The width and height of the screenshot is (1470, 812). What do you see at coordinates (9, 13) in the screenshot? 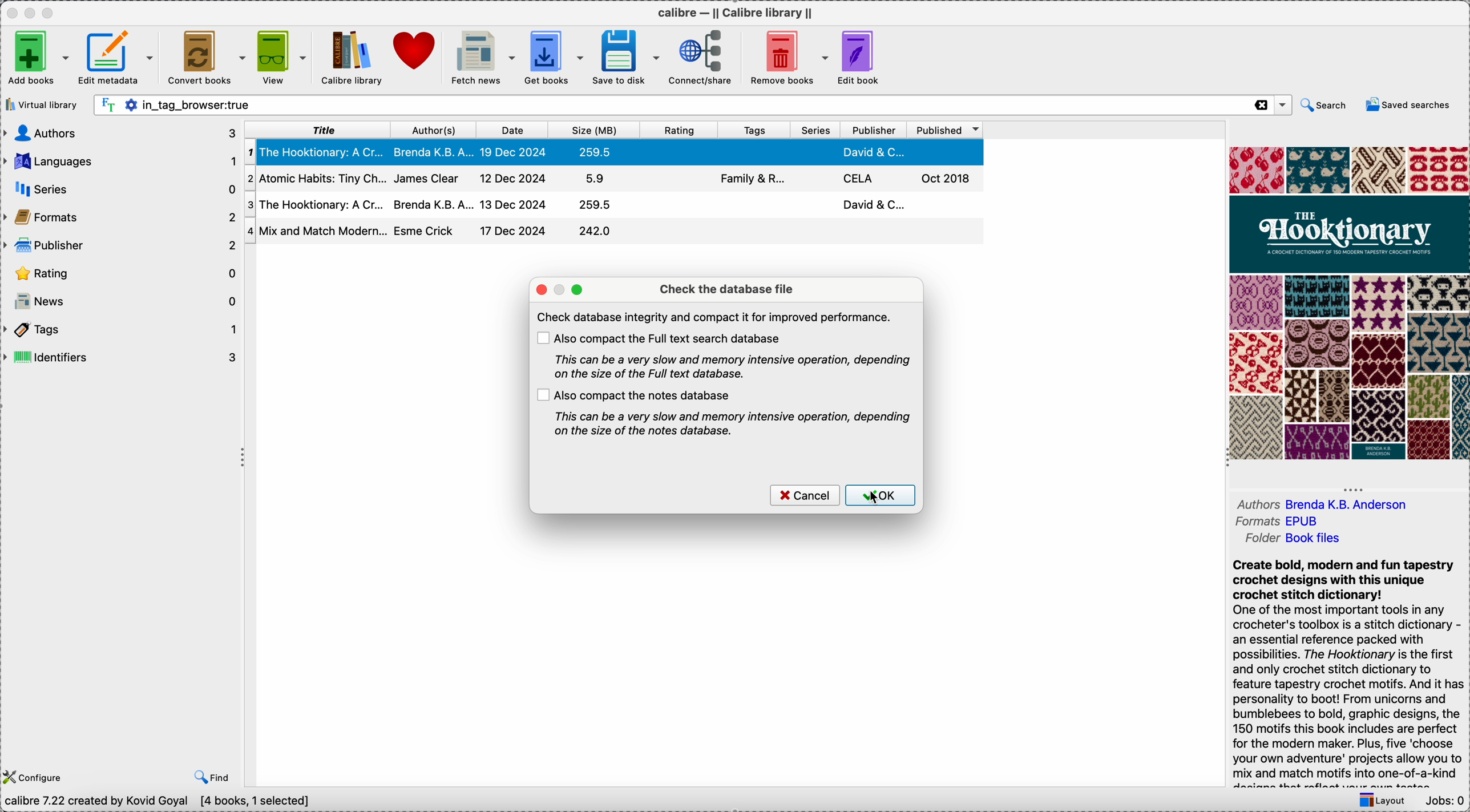
I see `close app` at bounding box center [9, 13].